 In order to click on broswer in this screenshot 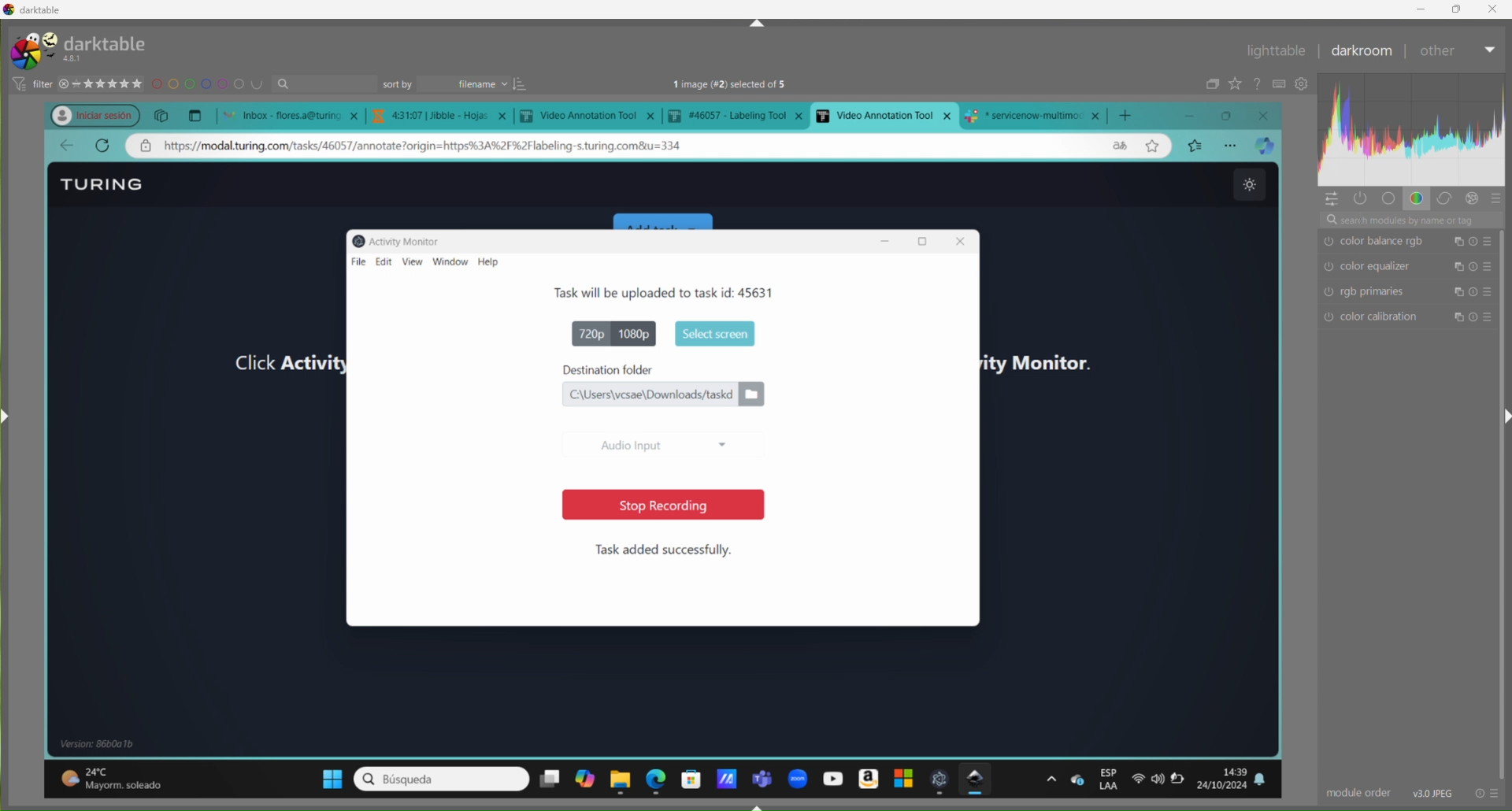, I will do `click(1268, 146)`.